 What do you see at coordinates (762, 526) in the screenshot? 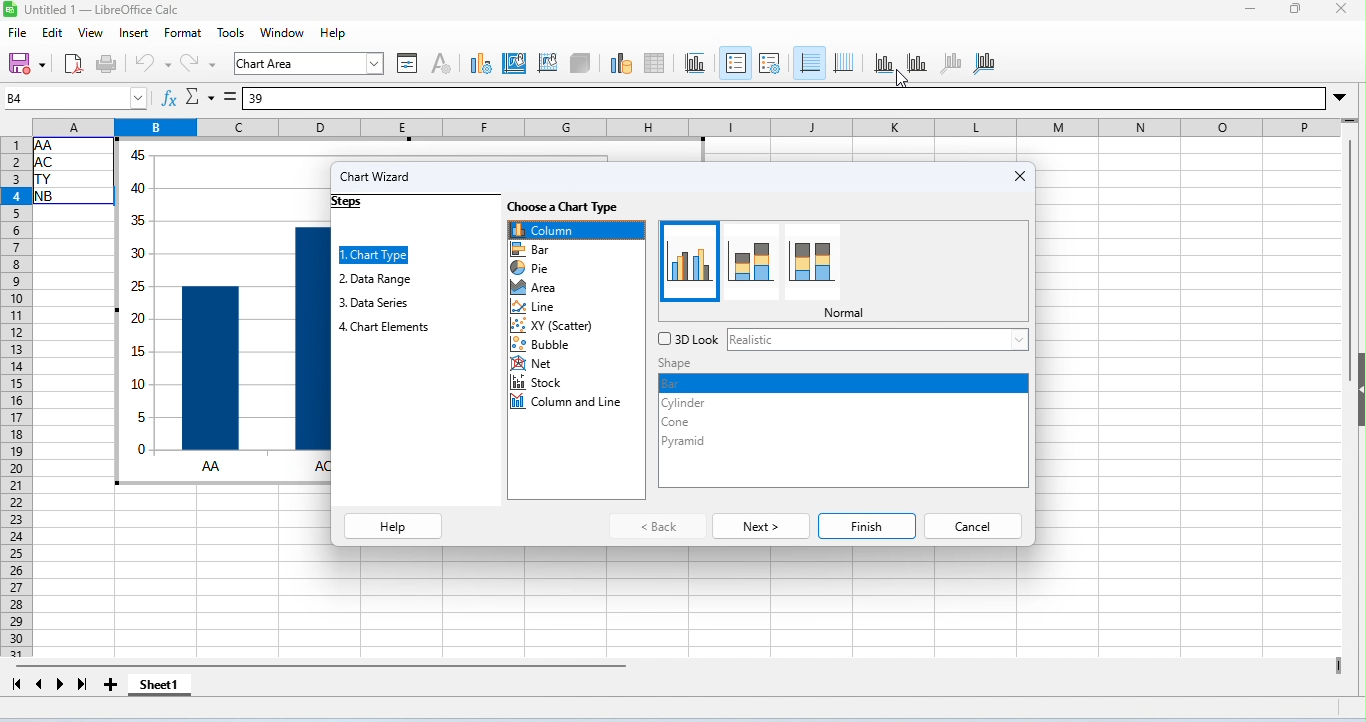
I see `next` at bounding box center [762, 526].